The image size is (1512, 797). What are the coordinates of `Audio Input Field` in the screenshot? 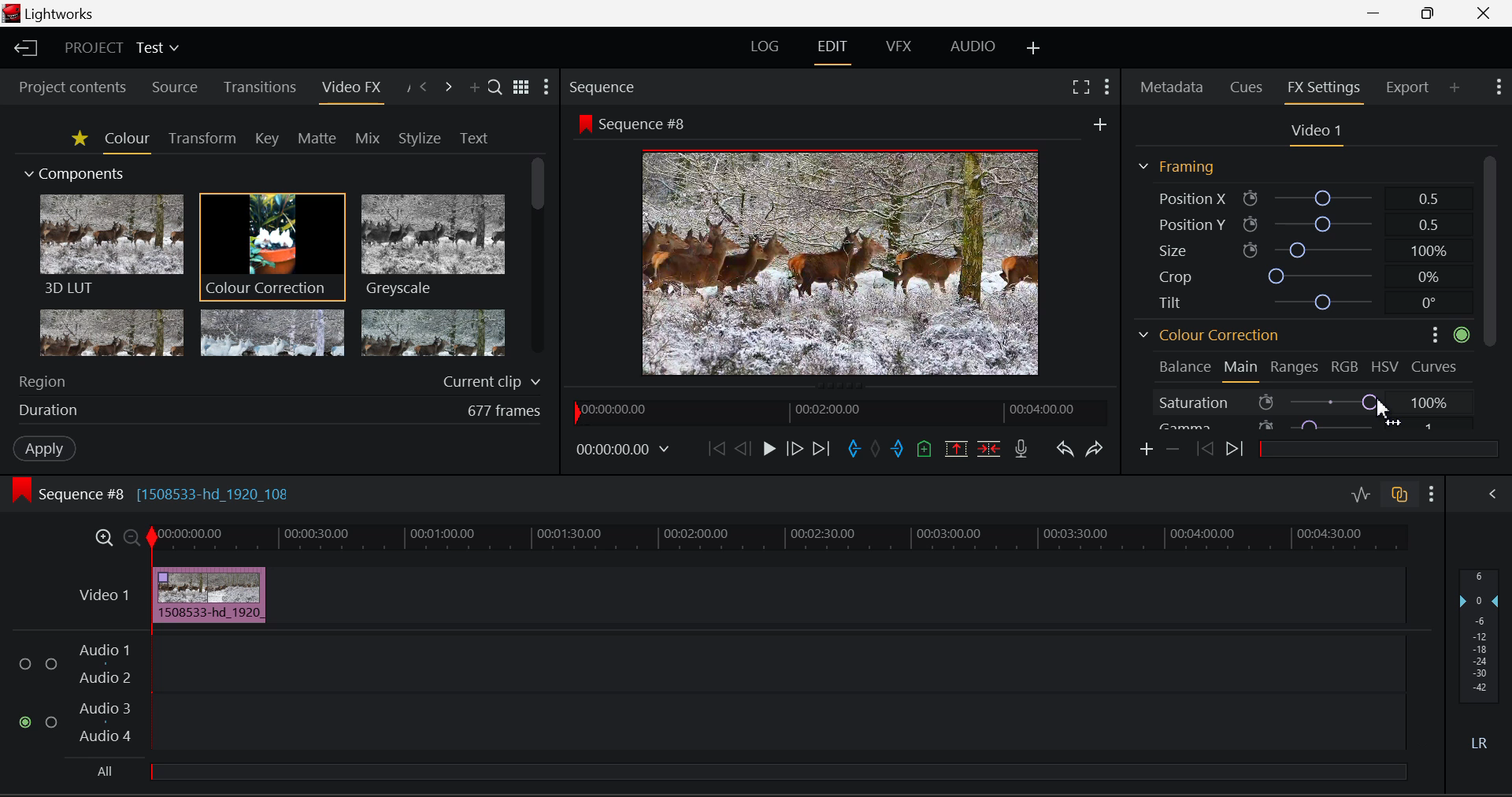 It's located at (776, 662).